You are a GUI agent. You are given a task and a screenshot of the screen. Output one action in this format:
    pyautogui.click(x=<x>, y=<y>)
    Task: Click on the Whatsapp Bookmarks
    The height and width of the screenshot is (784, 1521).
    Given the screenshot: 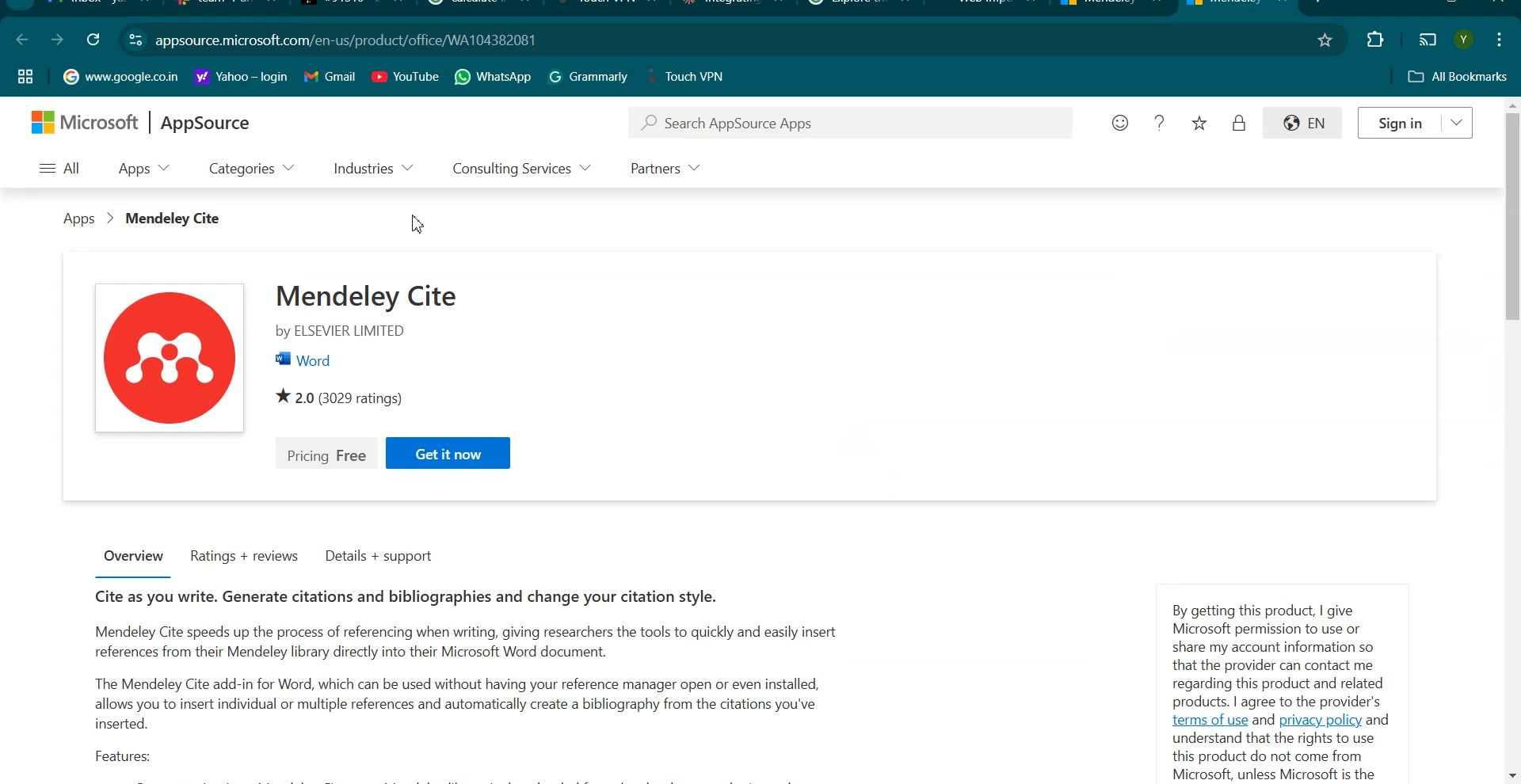 What is the action you would take?
    pyautogui.click(x=493, y=76)
    